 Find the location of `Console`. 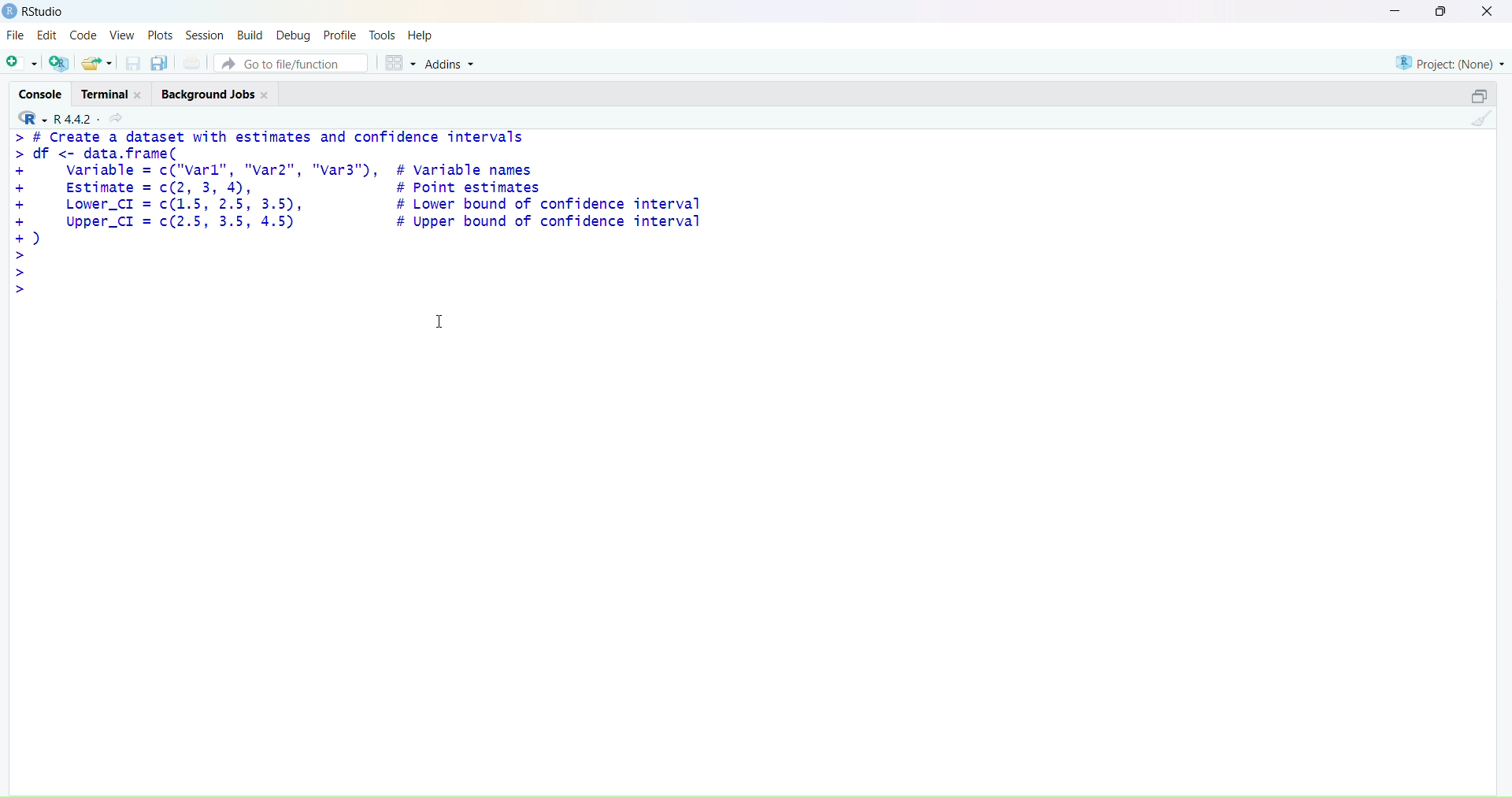

Console is located at coordinates (41, 93).